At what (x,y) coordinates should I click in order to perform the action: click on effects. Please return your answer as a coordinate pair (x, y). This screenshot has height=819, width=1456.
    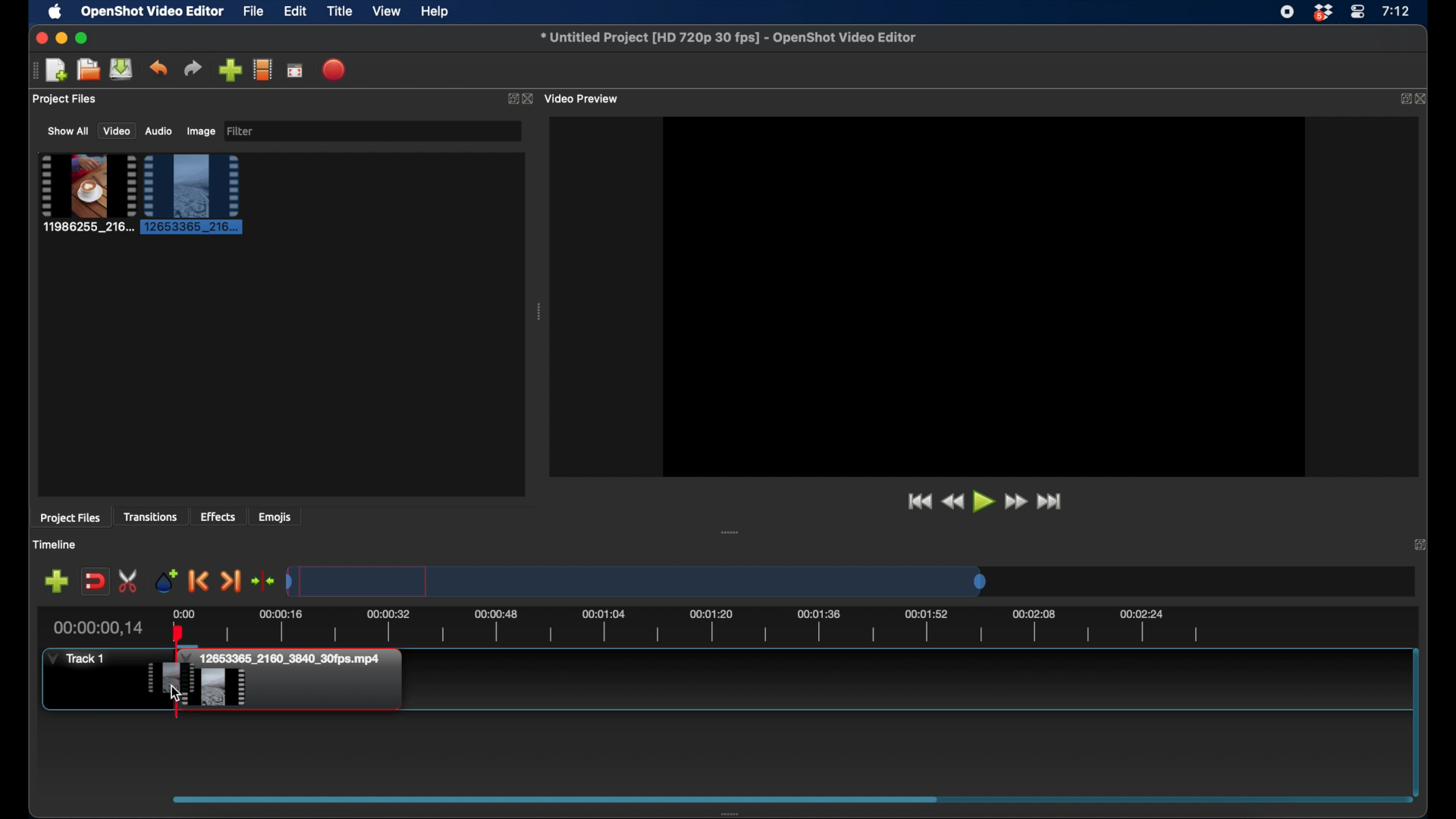
    Looking at the image, I should click on (218, 516).